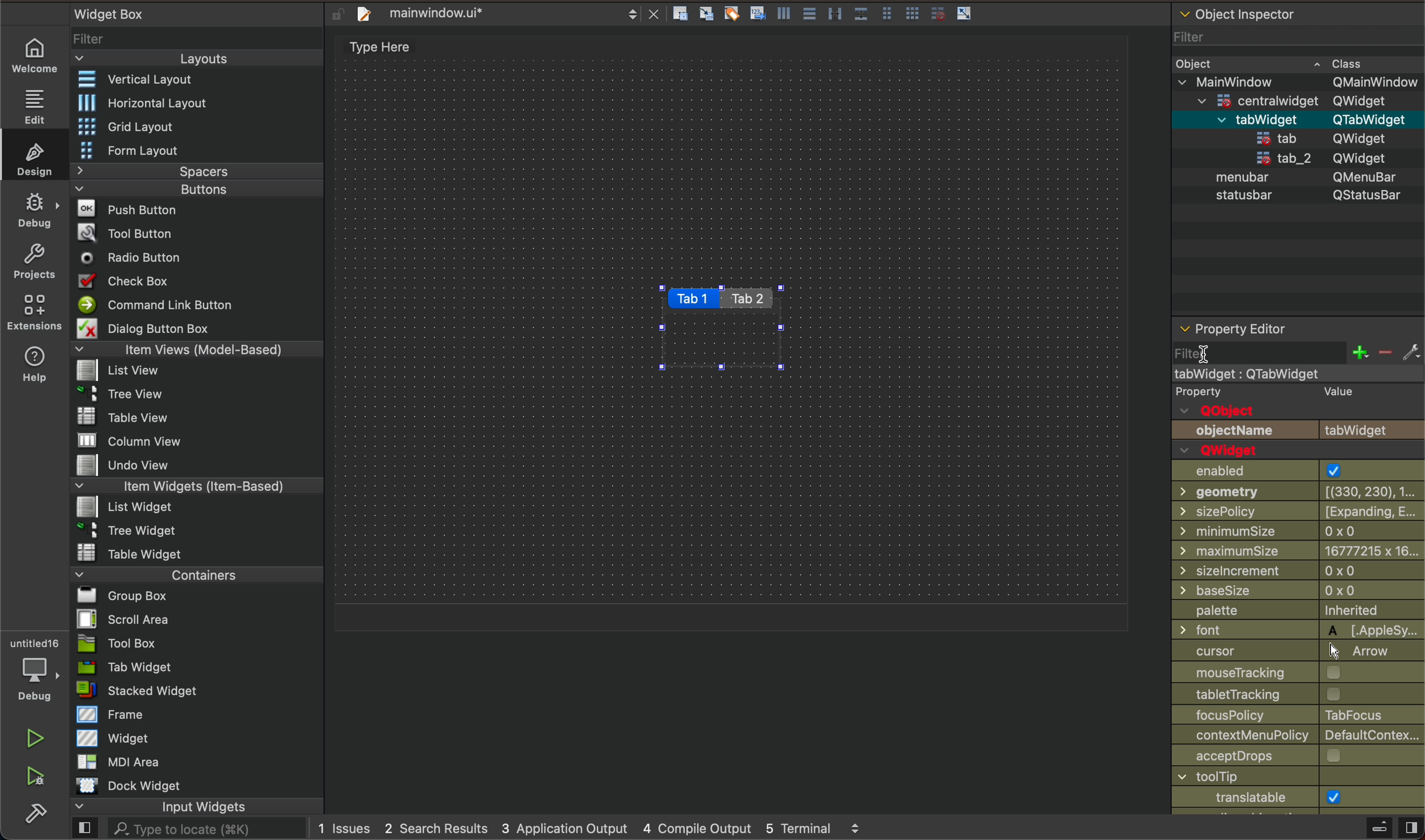  What do you see at coordinates (122, 392) in the screenshot?
I see ` Tree View` at bounding box center [122, 392].